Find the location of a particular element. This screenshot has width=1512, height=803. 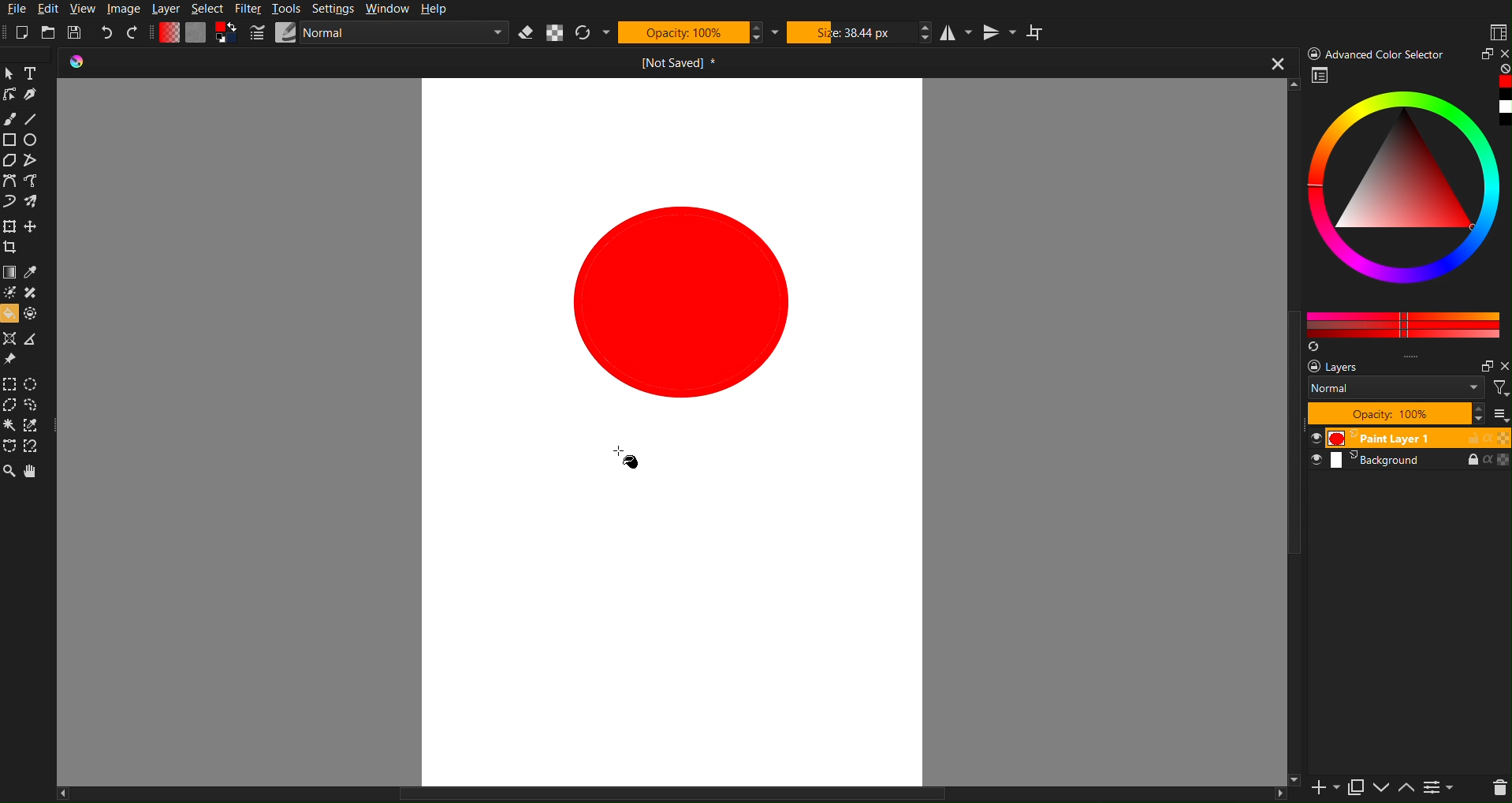

Tools is located at coordinates (288, 9).